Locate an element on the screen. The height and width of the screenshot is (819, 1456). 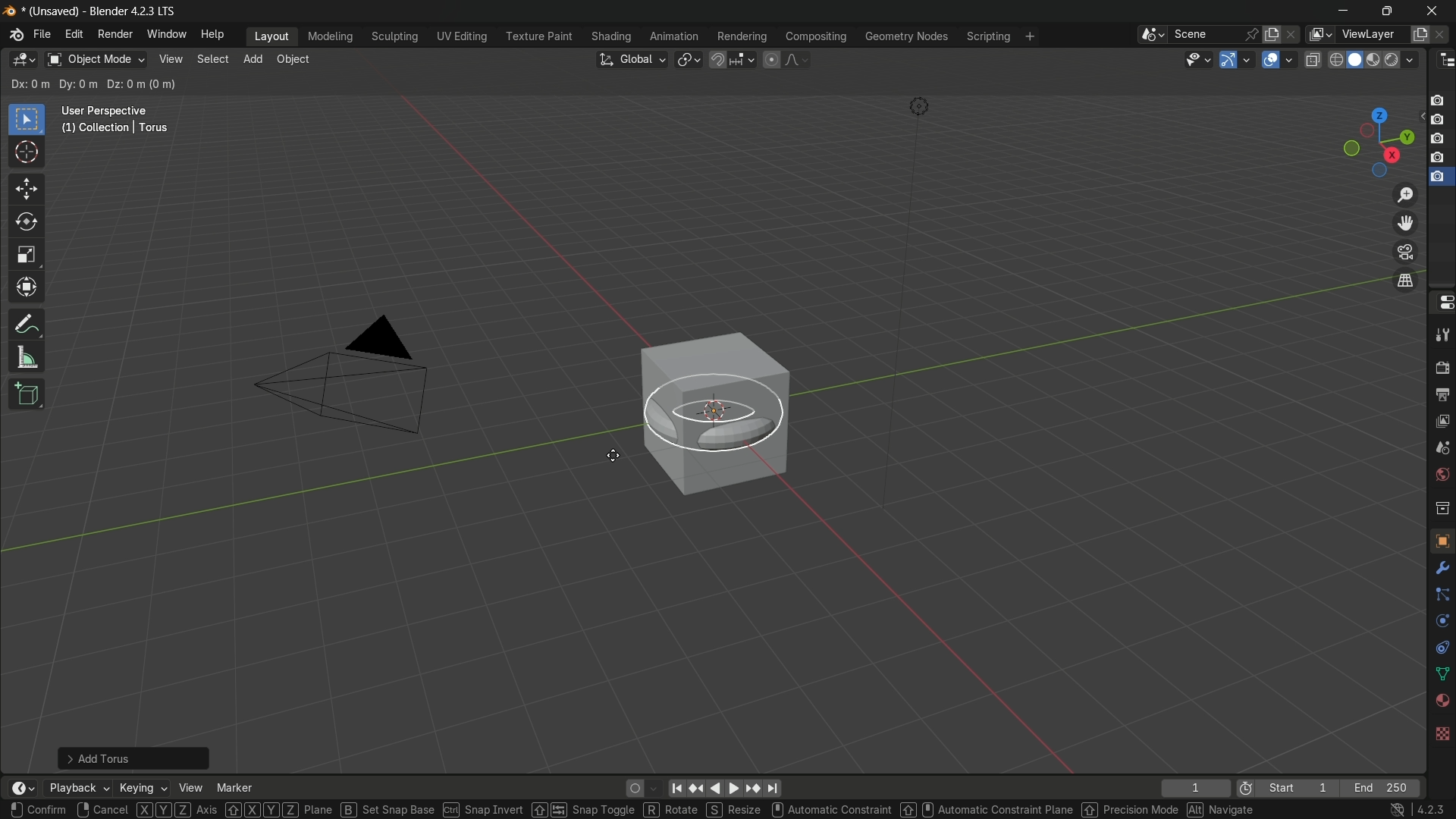
marker is located at coordinates (235, 787).